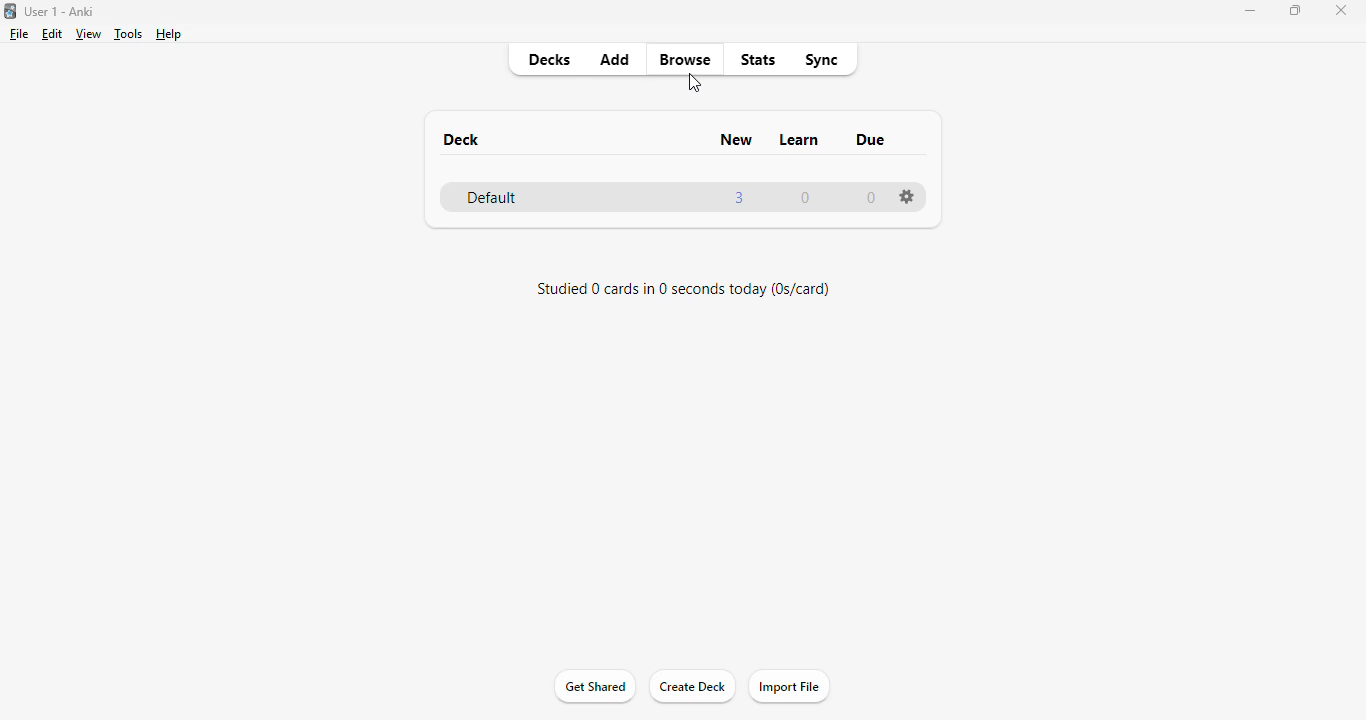 This screenshot has width=1366, height=720. What do you see at coordinates (801, 139) in the screenshot?
I see `learn` at bounding box center [801, 139].